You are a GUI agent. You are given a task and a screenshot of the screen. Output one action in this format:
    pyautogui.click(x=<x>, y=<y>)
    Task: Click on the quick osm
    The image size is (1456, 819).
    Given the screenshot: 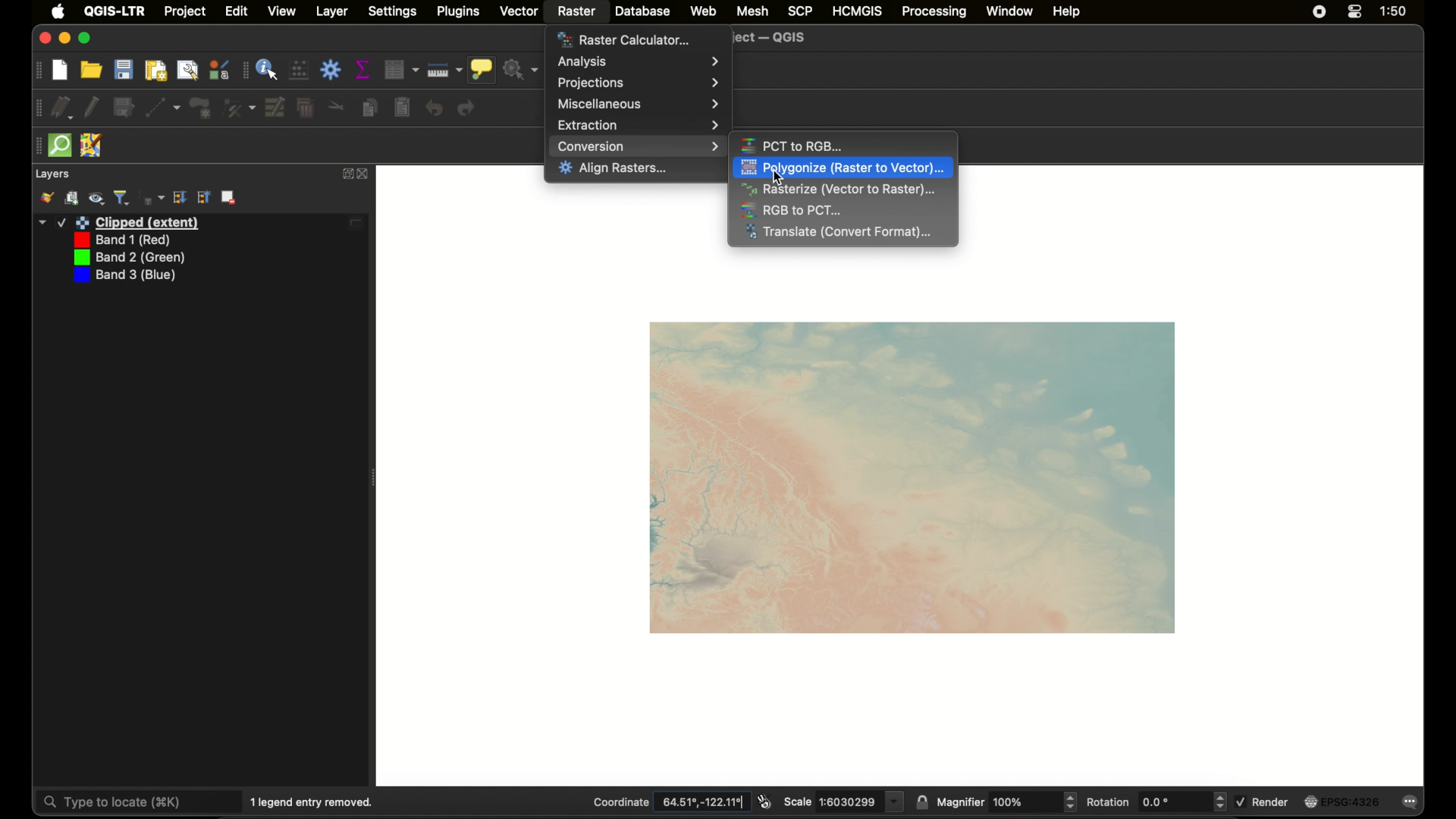 What is the action you would take?
    pyautogui.click(x=60, y=145)
    